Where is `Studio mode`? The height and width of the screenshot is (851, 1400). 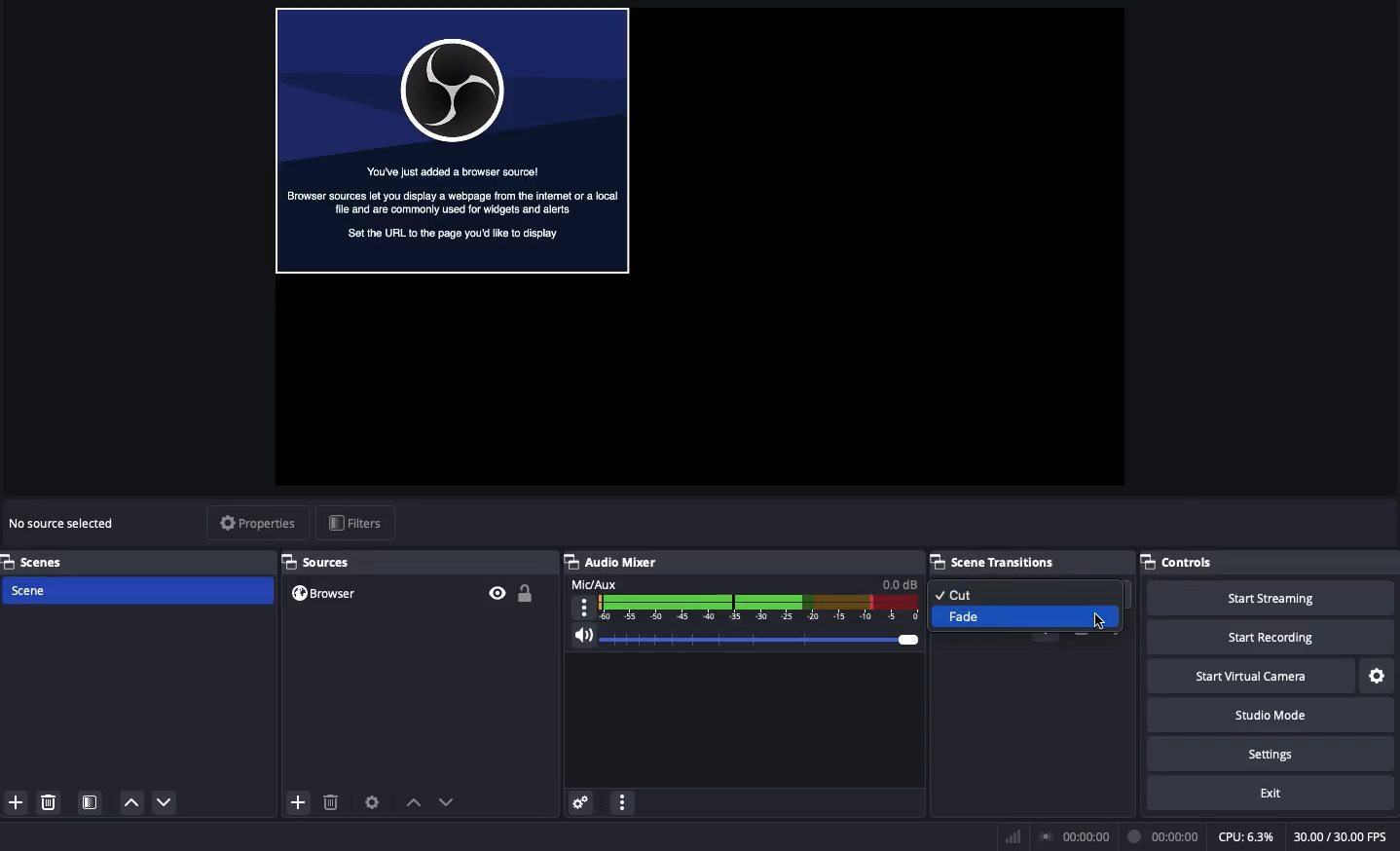 Studio mode is located at coordinates (1266, 715).